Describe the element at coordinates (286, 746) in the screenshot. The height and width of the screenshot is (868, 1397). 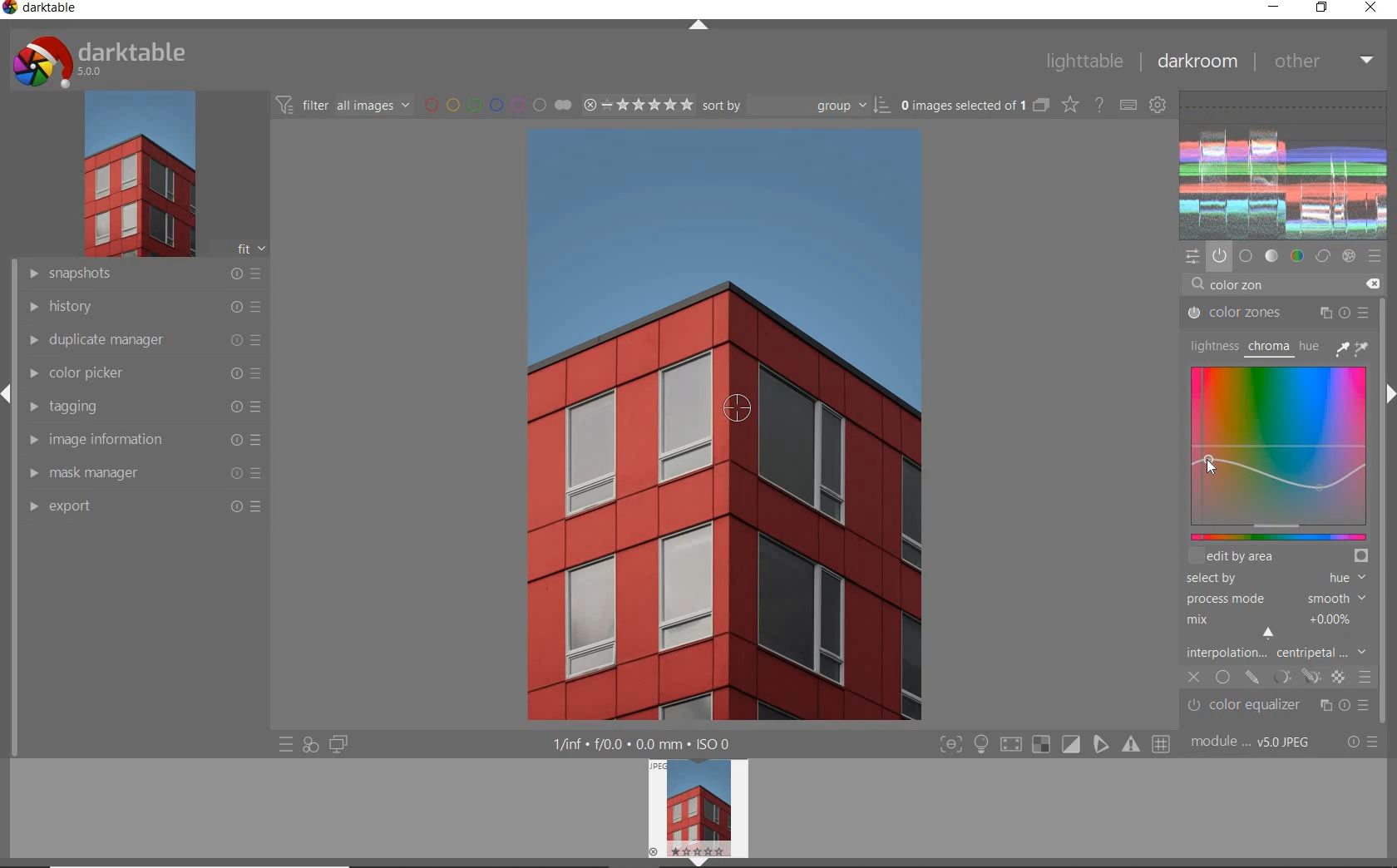
I see `quick access to presets` at that location.